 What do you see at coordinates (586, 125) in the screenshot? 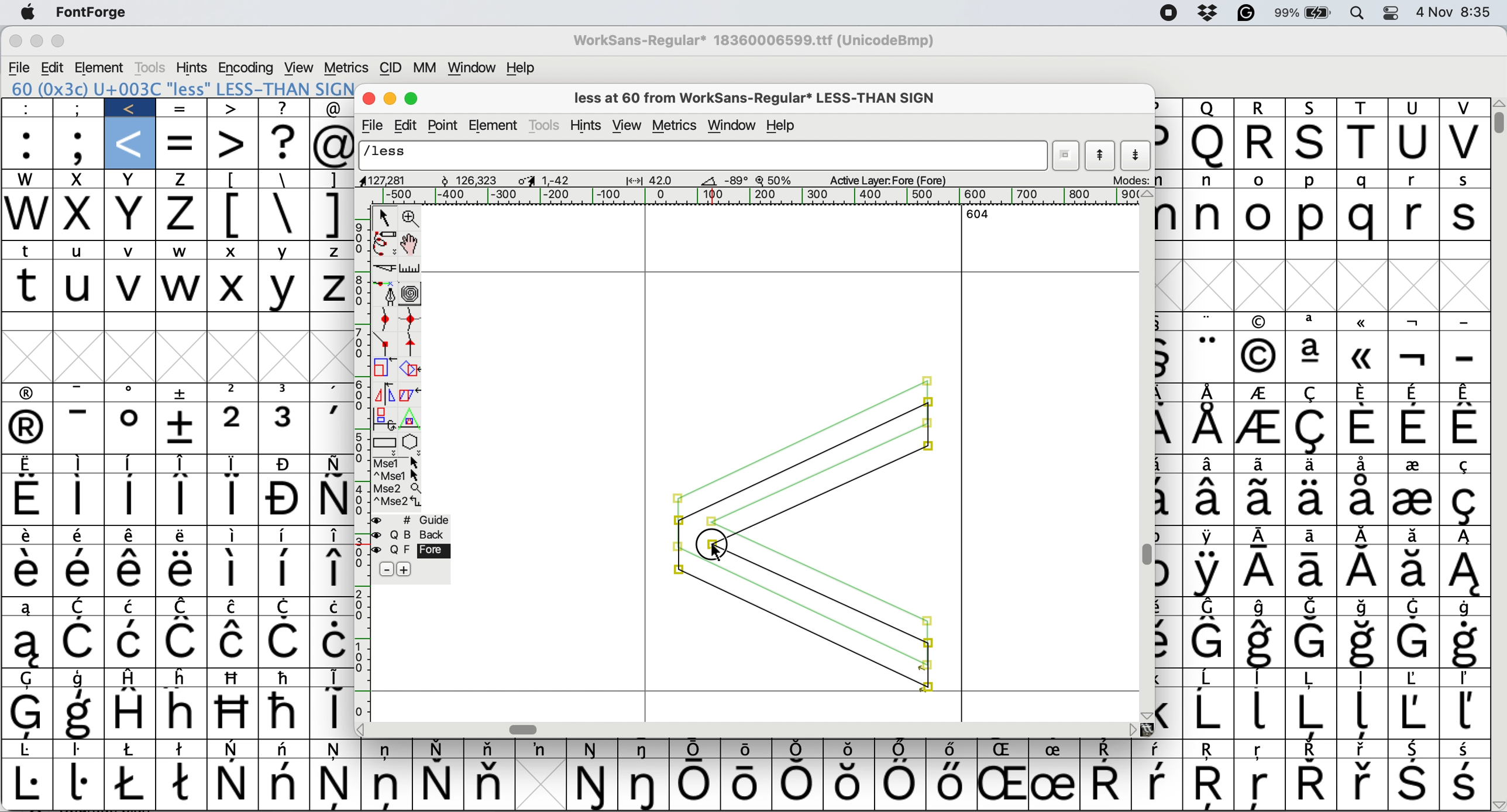
I see `hints` at bounding box center [586, 125].